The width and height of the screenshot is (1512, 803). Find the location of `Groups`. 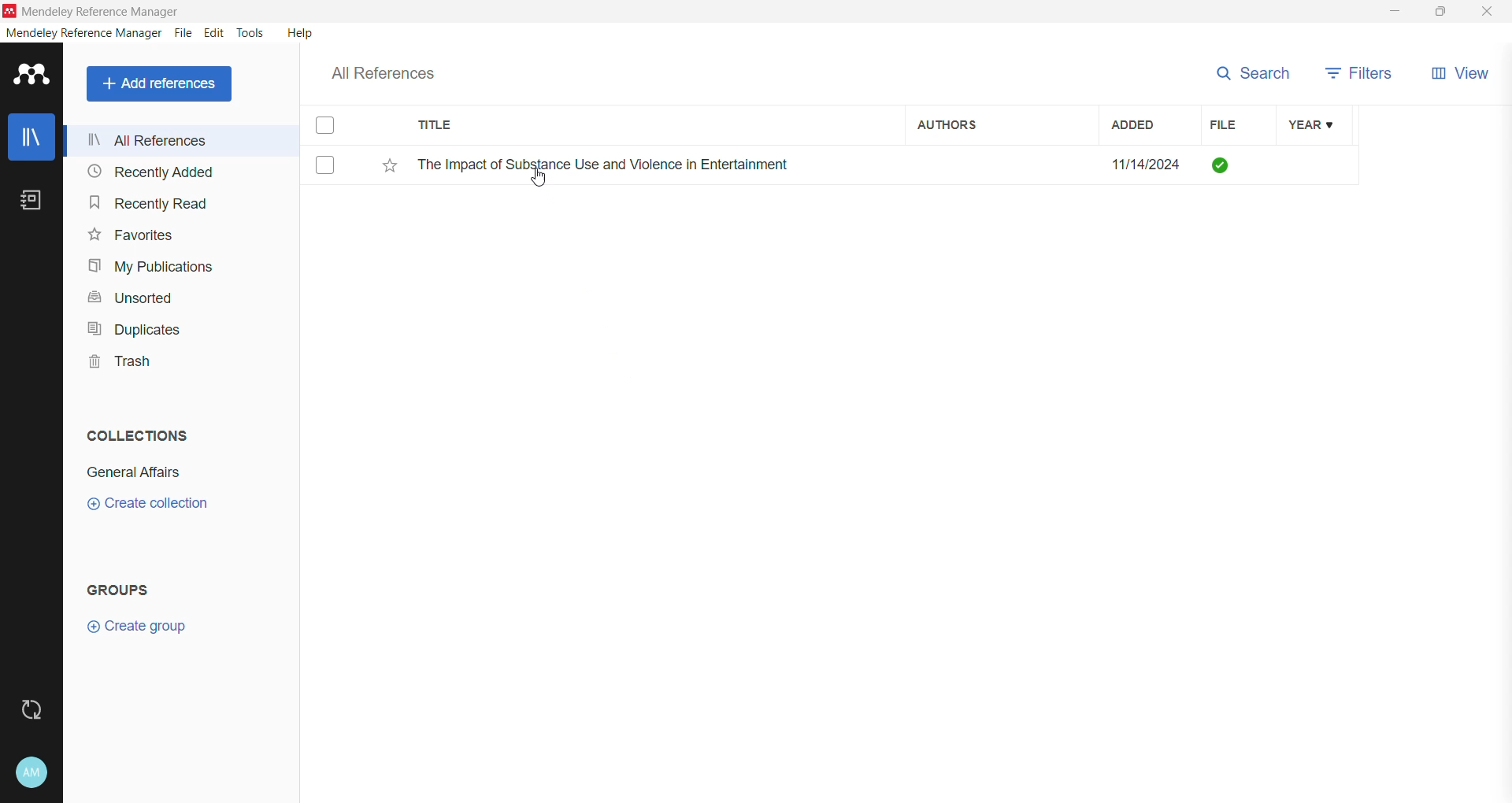

Groups is located at coordinates (124, 589).